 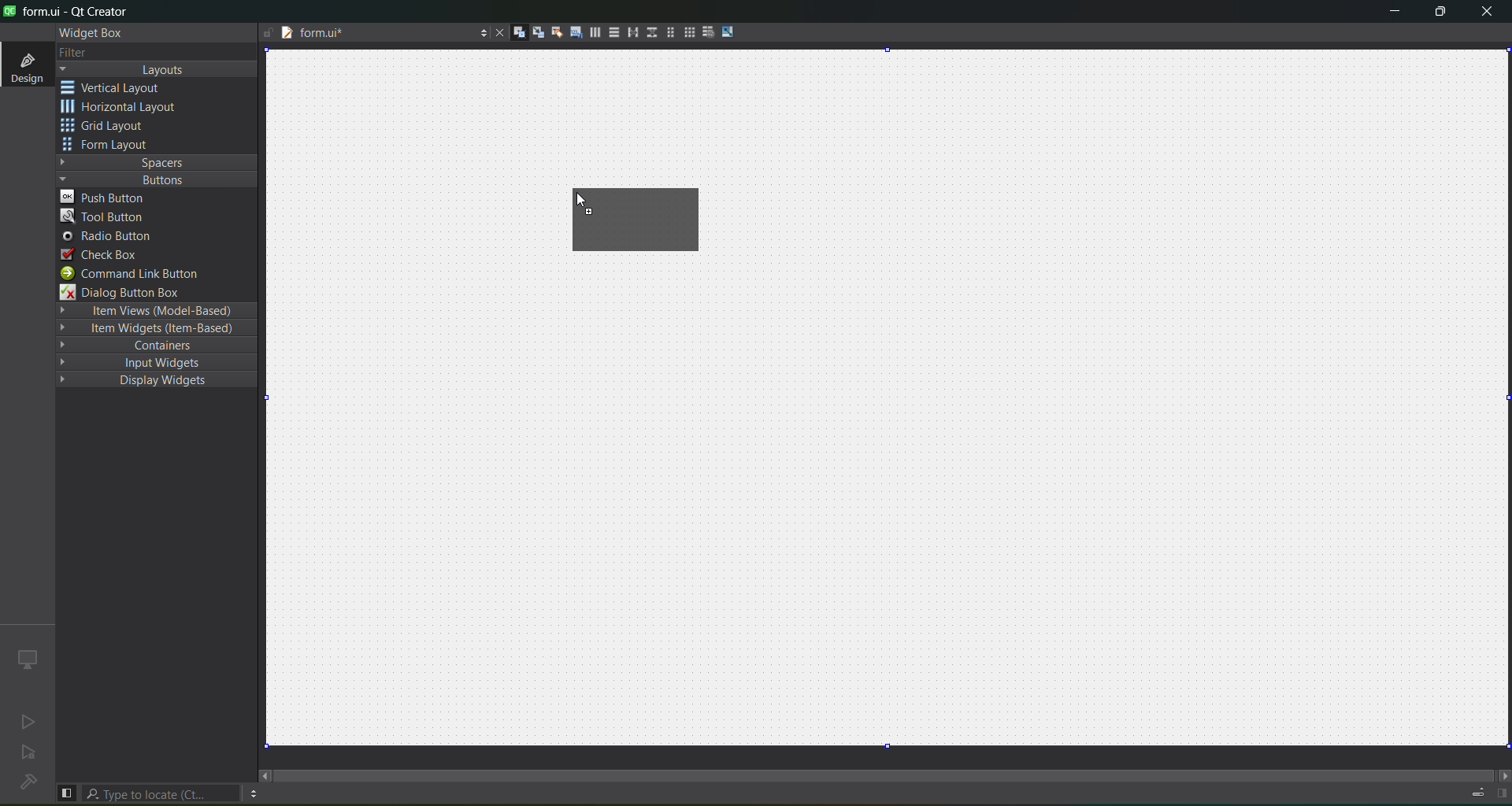 What do you see at coordinates (29, 755) in the screenshot?
I see `no active project` at bounding box center [29, 755].